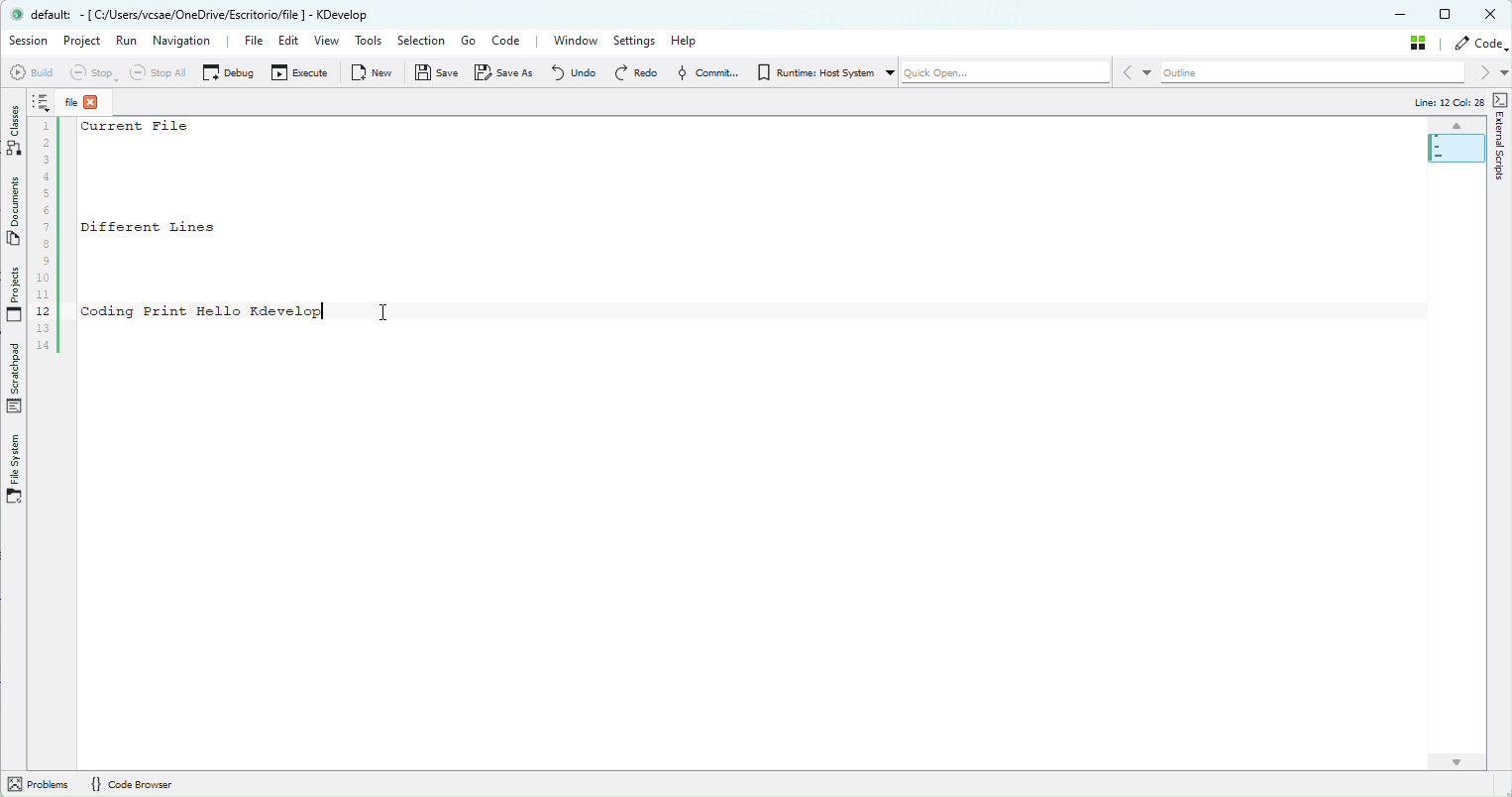 This screenshot has width=1512, height=797. What do you see at coordinates (825, 72) in the screenshot?
I see `Runtime` at bounding box center [825, 72].